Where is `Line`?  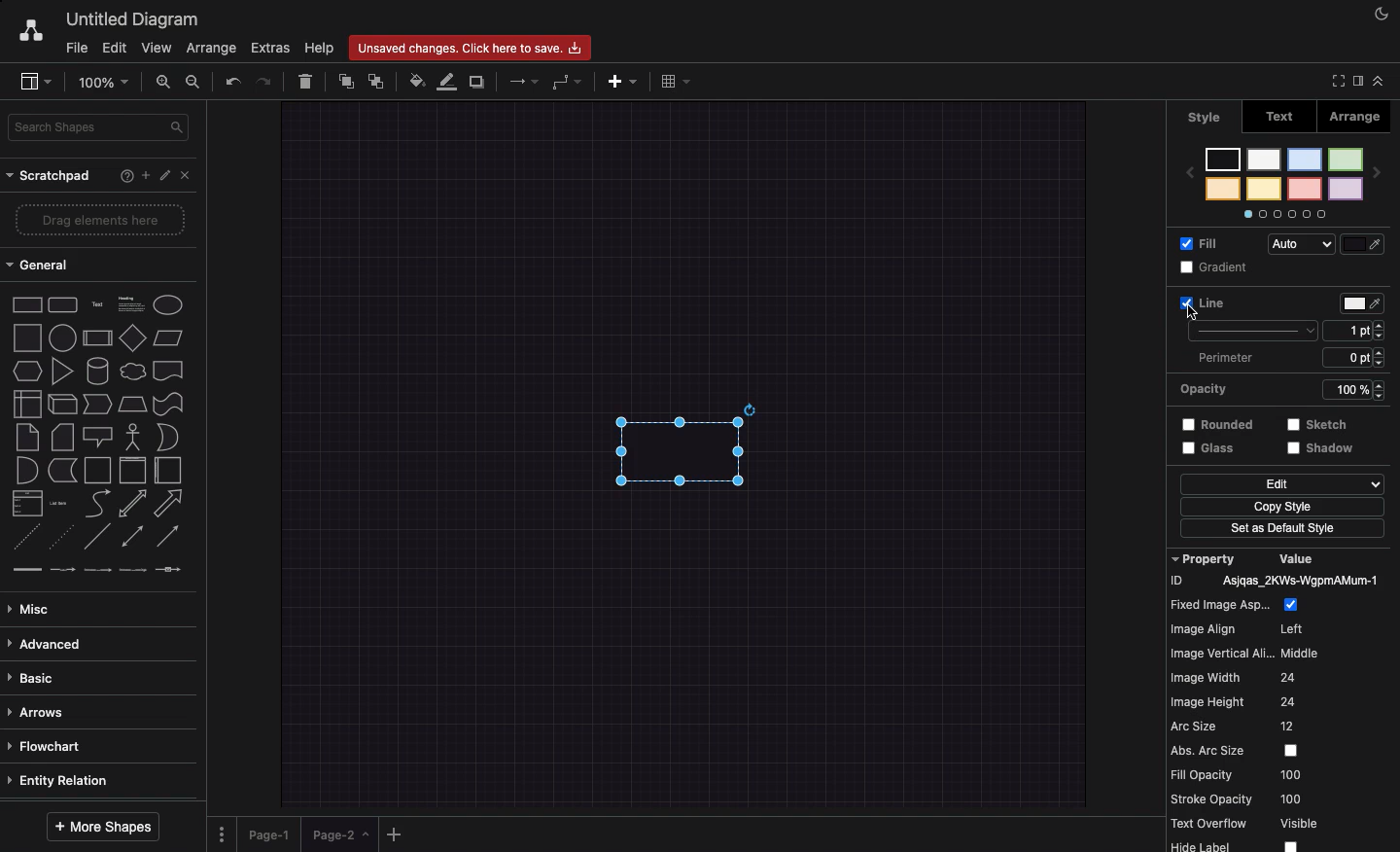
Line is located at coordinates (1246, 316).